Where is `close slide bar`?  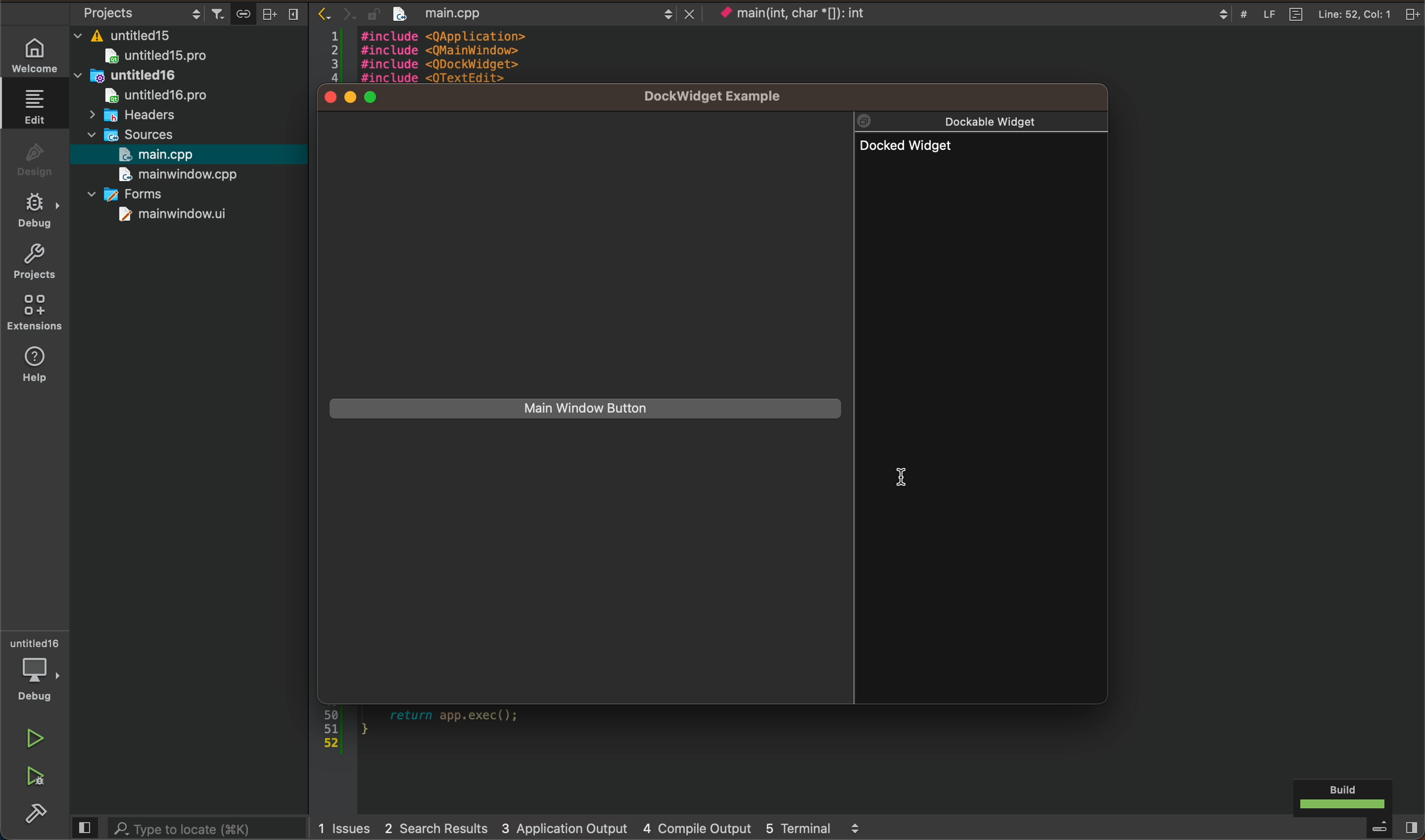 close slide bar is located at coordinates (84, 828).